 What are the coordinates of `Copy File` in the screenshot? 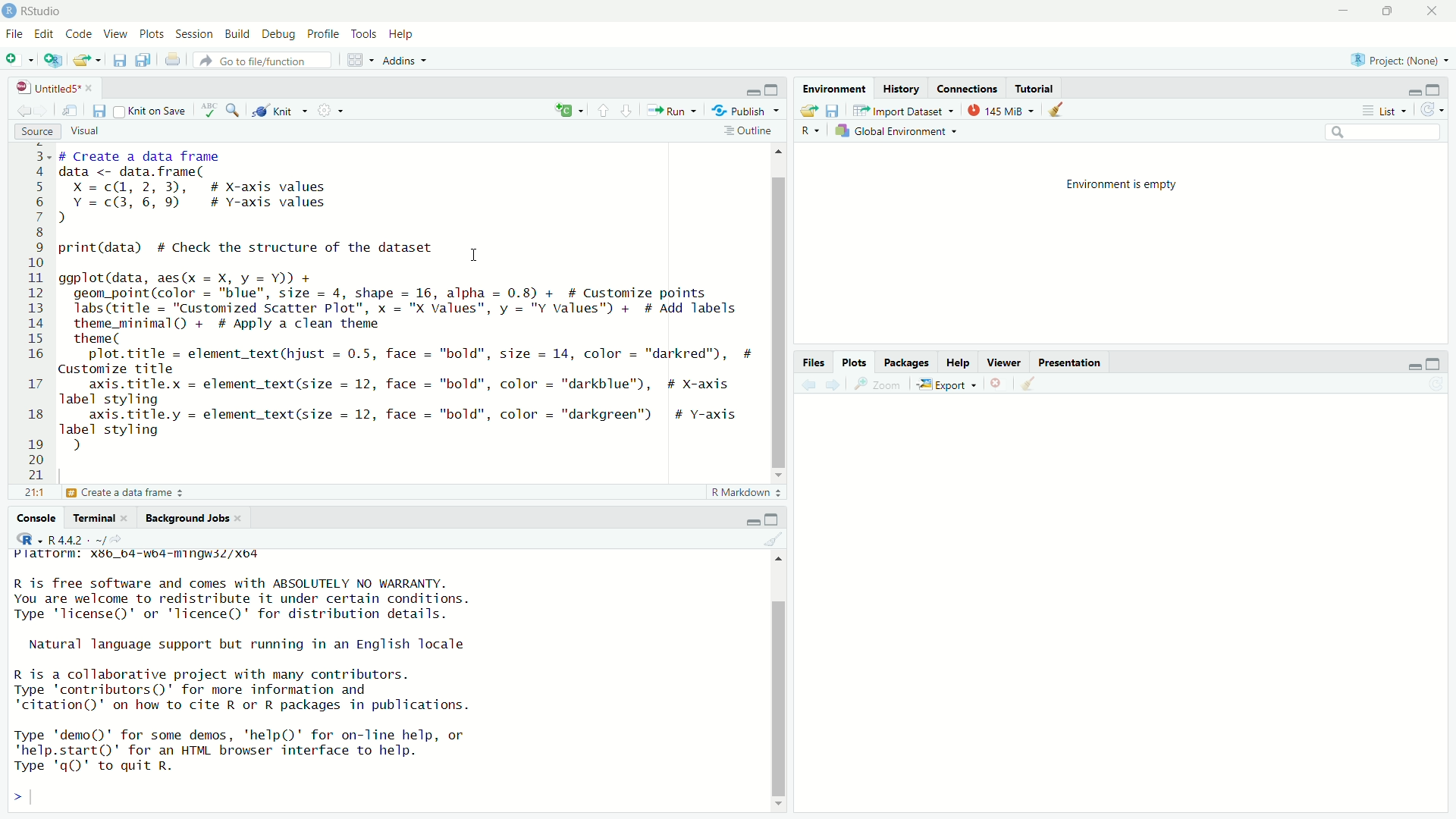 It's located at (570, 112).